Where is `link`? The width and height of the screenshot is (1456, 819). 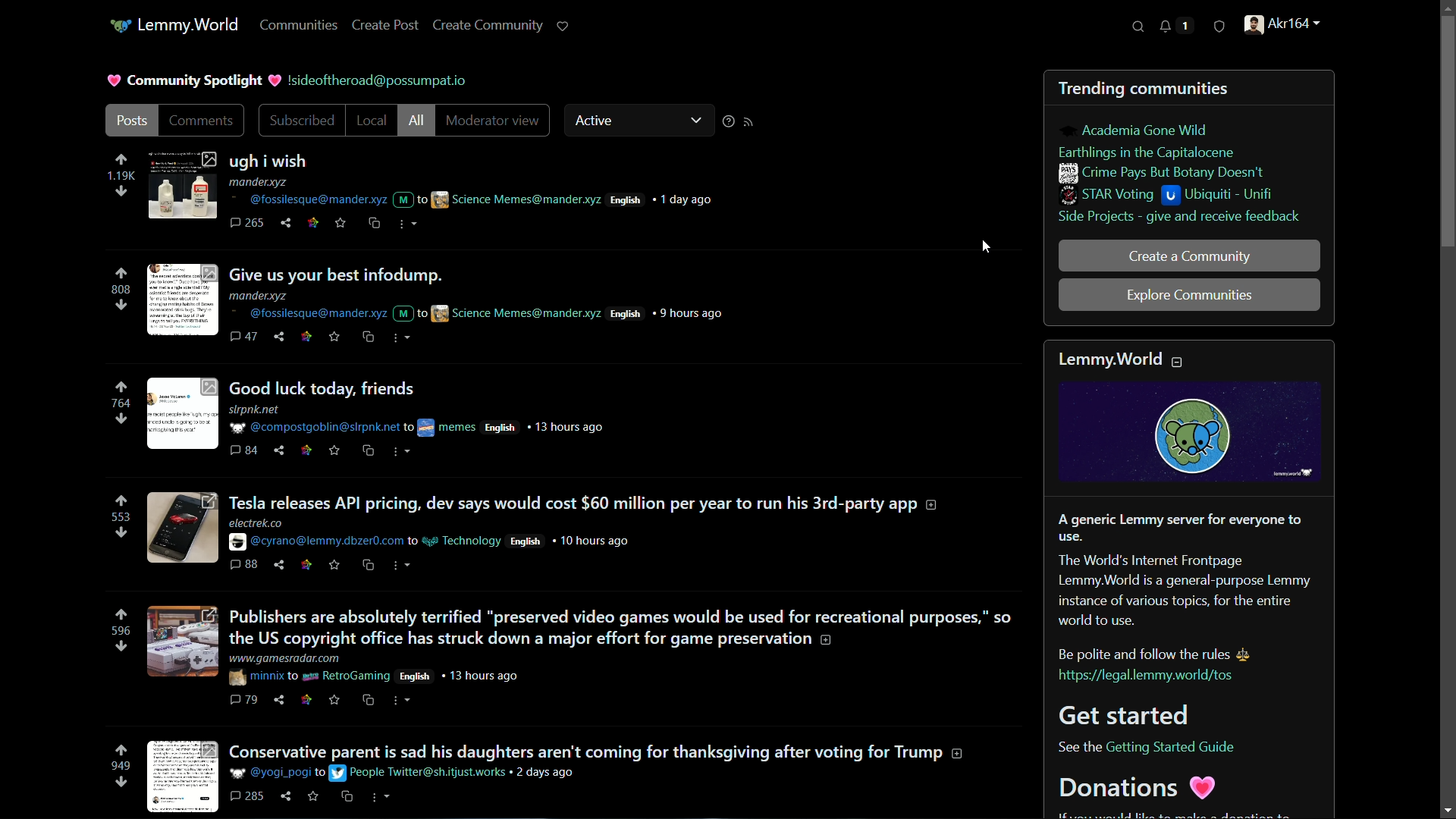 link is located at coordinates (305, 451).